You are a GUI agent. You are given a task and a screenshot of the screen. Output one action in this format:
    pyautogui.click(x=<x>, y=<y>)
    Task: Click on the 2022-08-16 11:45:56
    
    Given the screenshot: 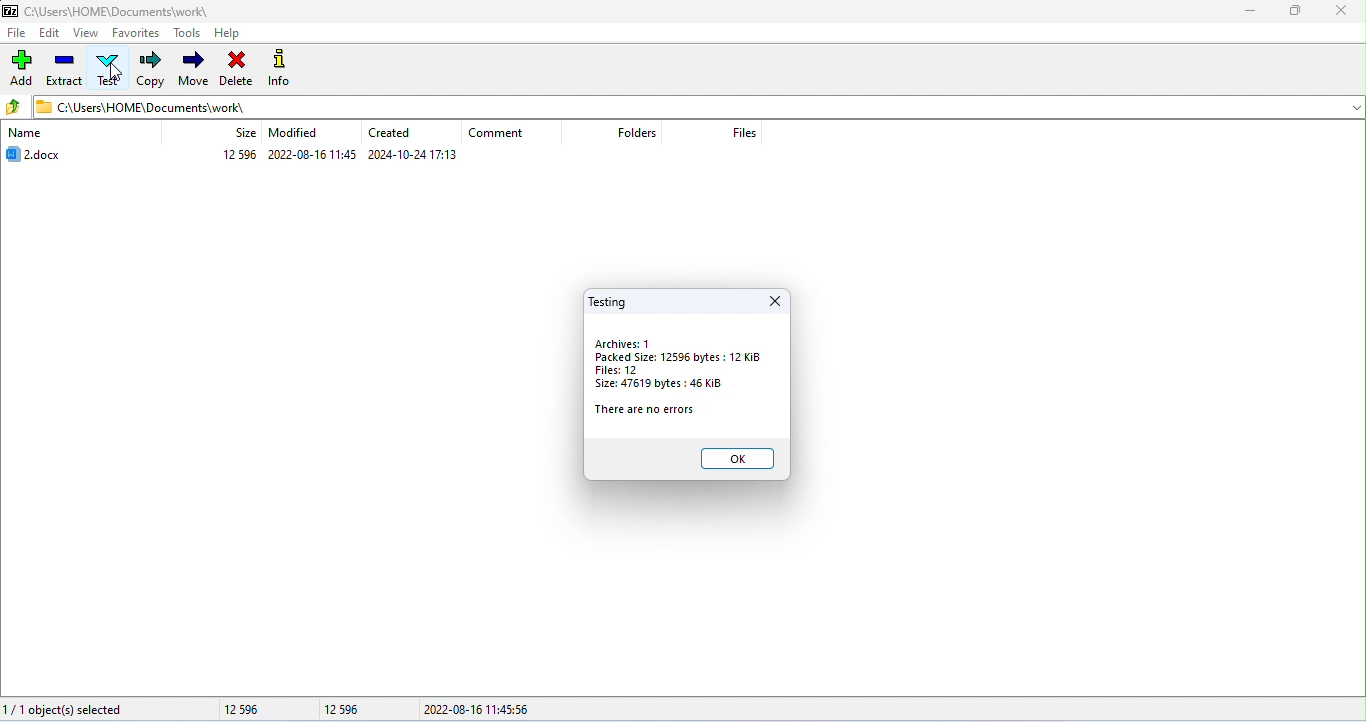 What is the action you would take?
    pyautogui.click(x=489, y=709)
    